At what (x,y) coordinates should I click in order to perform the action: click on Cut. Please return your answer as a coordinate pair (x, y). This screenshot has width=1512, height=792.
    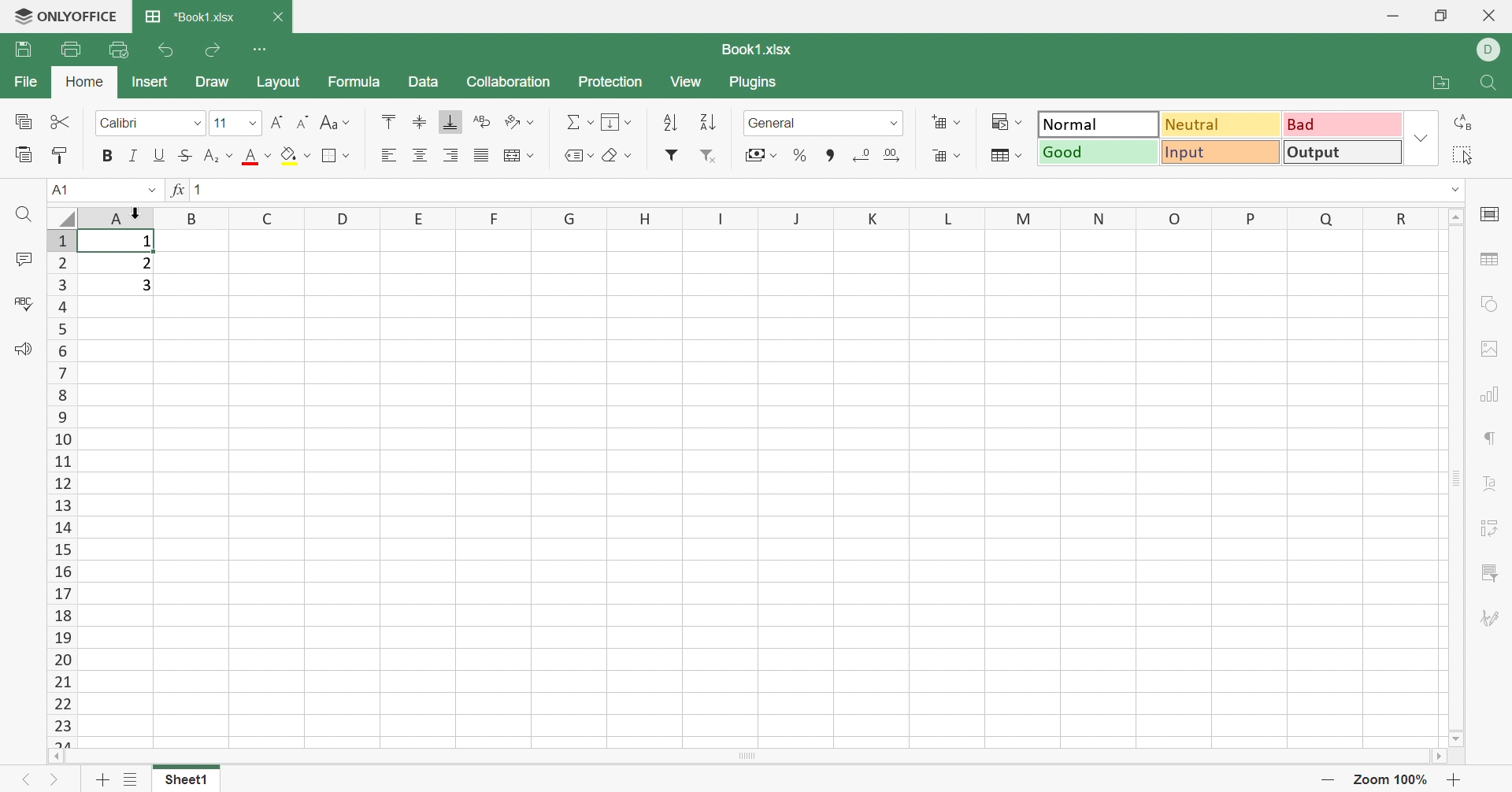
    Looking at the image, I should click on (64, 121).